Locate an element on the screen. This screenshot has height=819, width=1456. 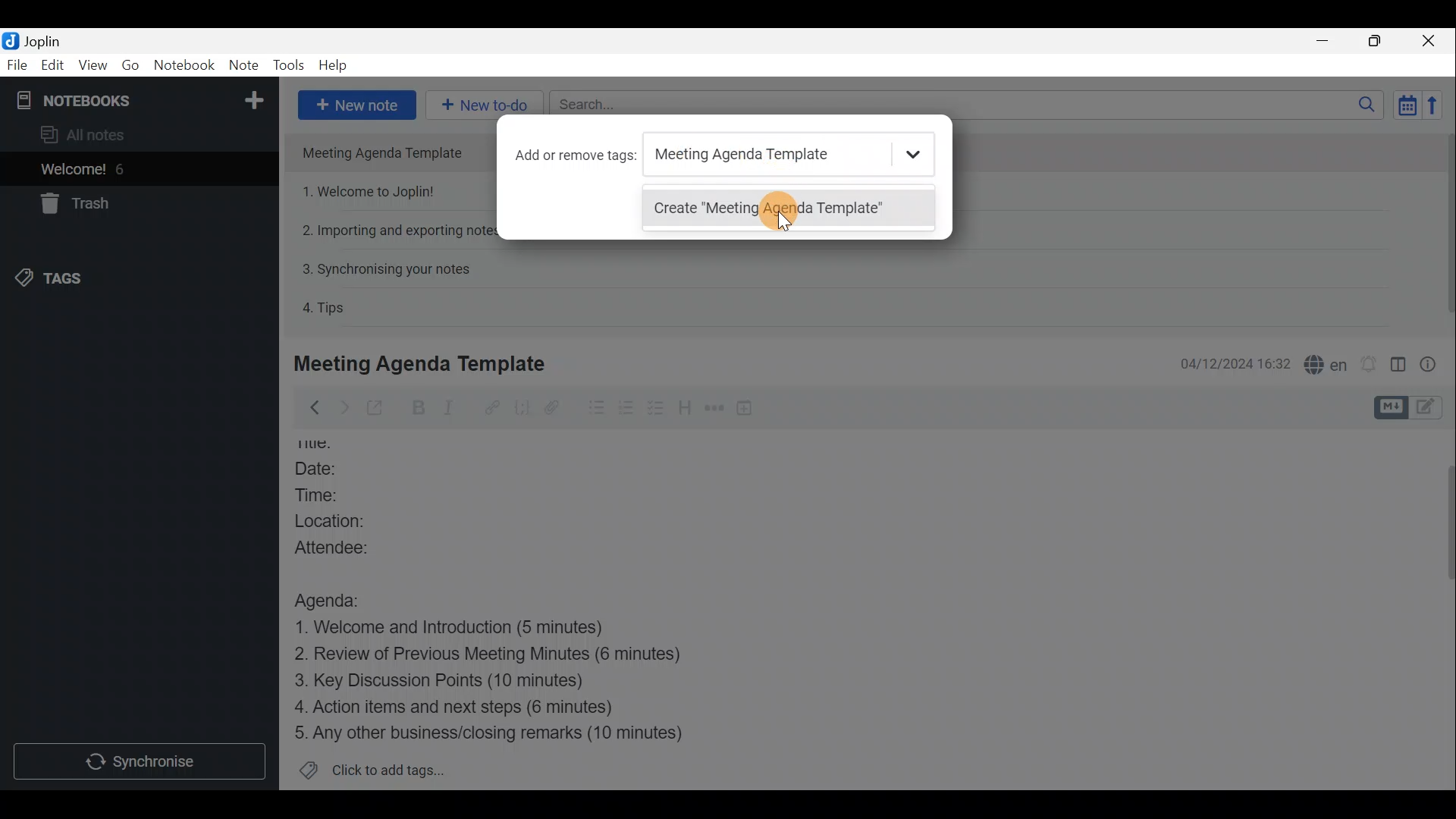
Tools is located at coordinates (287, 63).